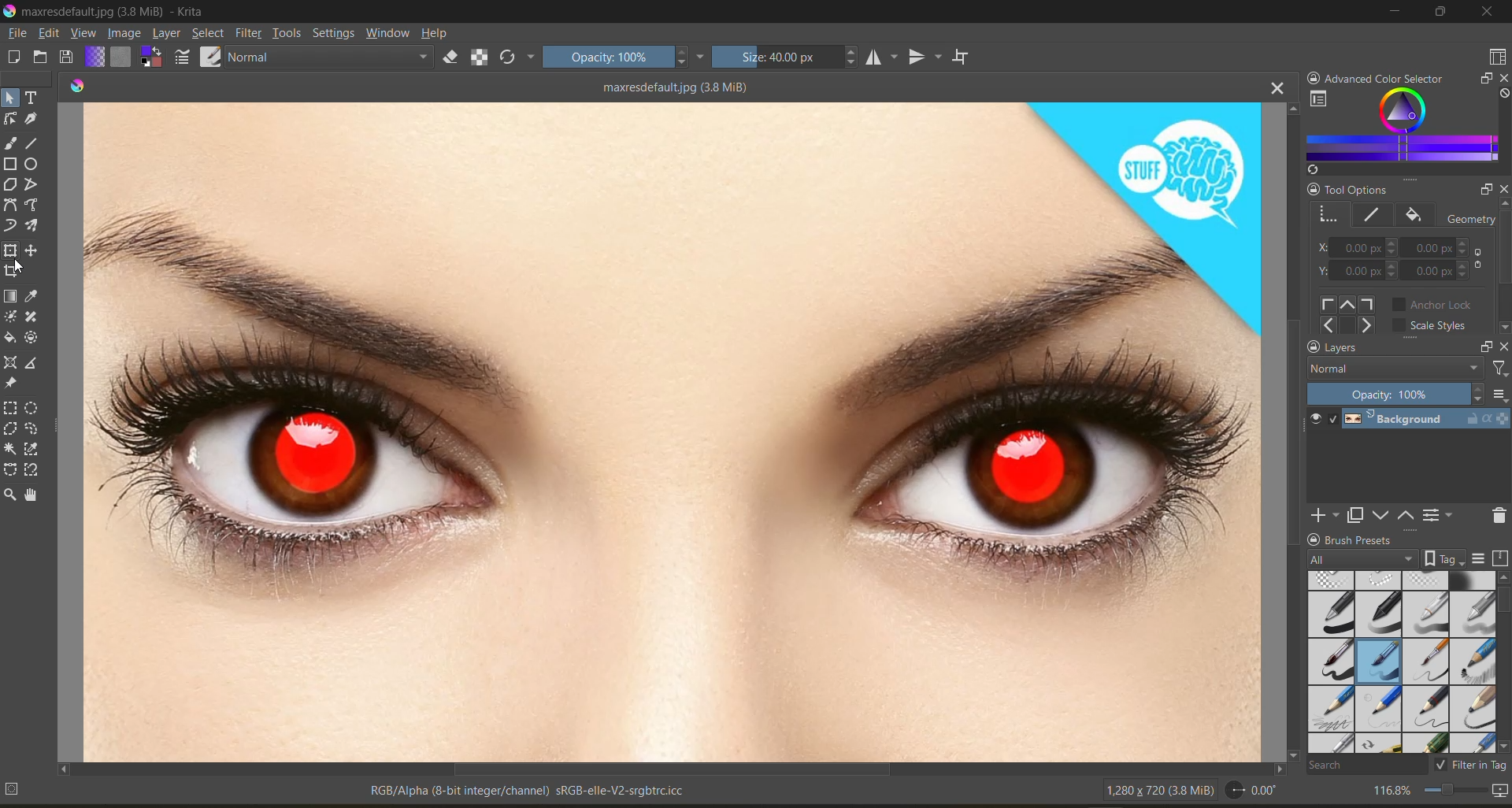 Image resolution: width=1512 pixels, height=808 pixels. What do you see at coordinates (391, 35) in the screenshot?
I see `window` at bounding box center [391, 35].